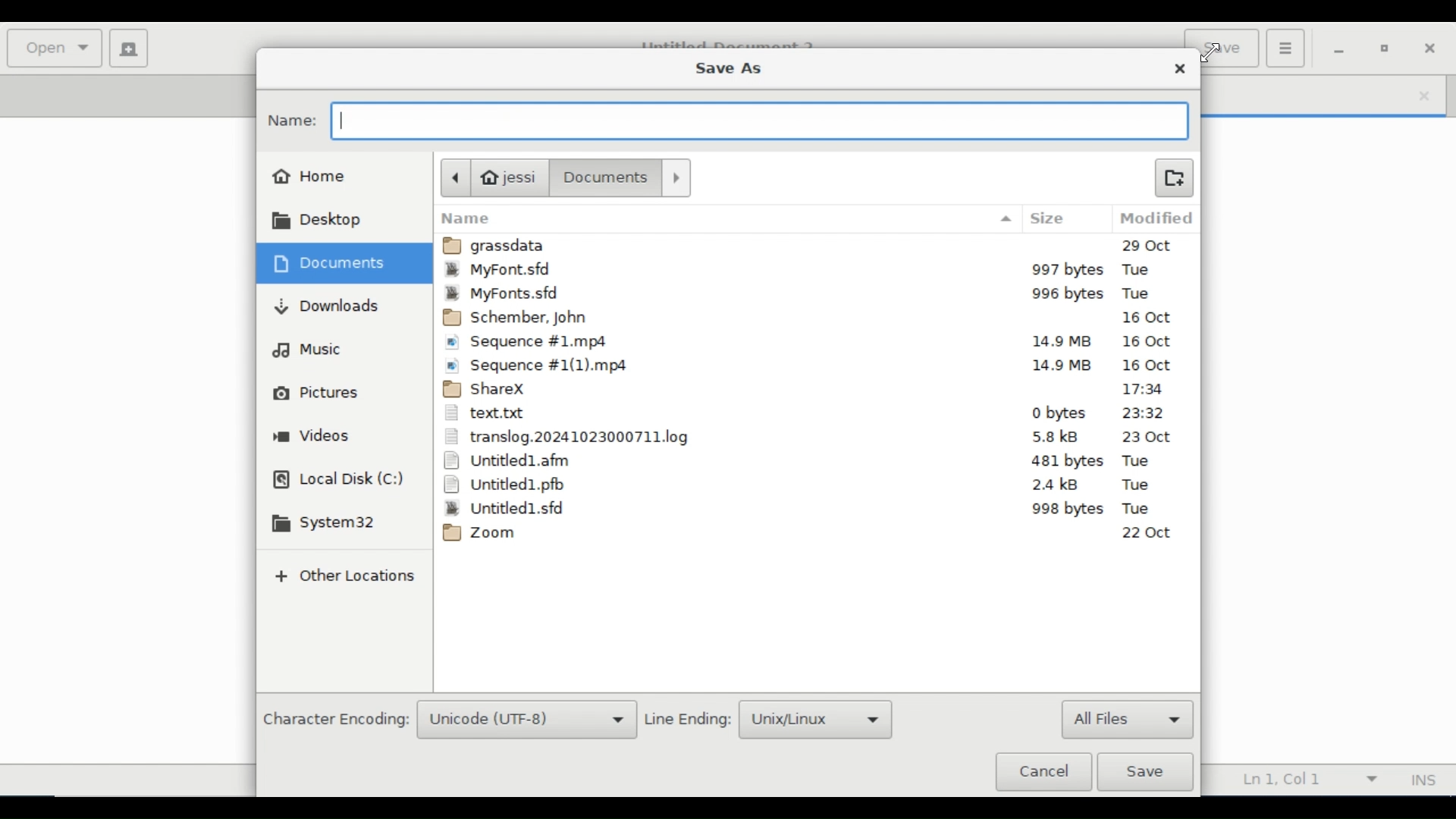 Image resolution: width=1456 pixels, height=819 pixels. What do you see at coordinates (312, 437) in the screenshot?
I see `Videos` at bounding box center [312, 437].